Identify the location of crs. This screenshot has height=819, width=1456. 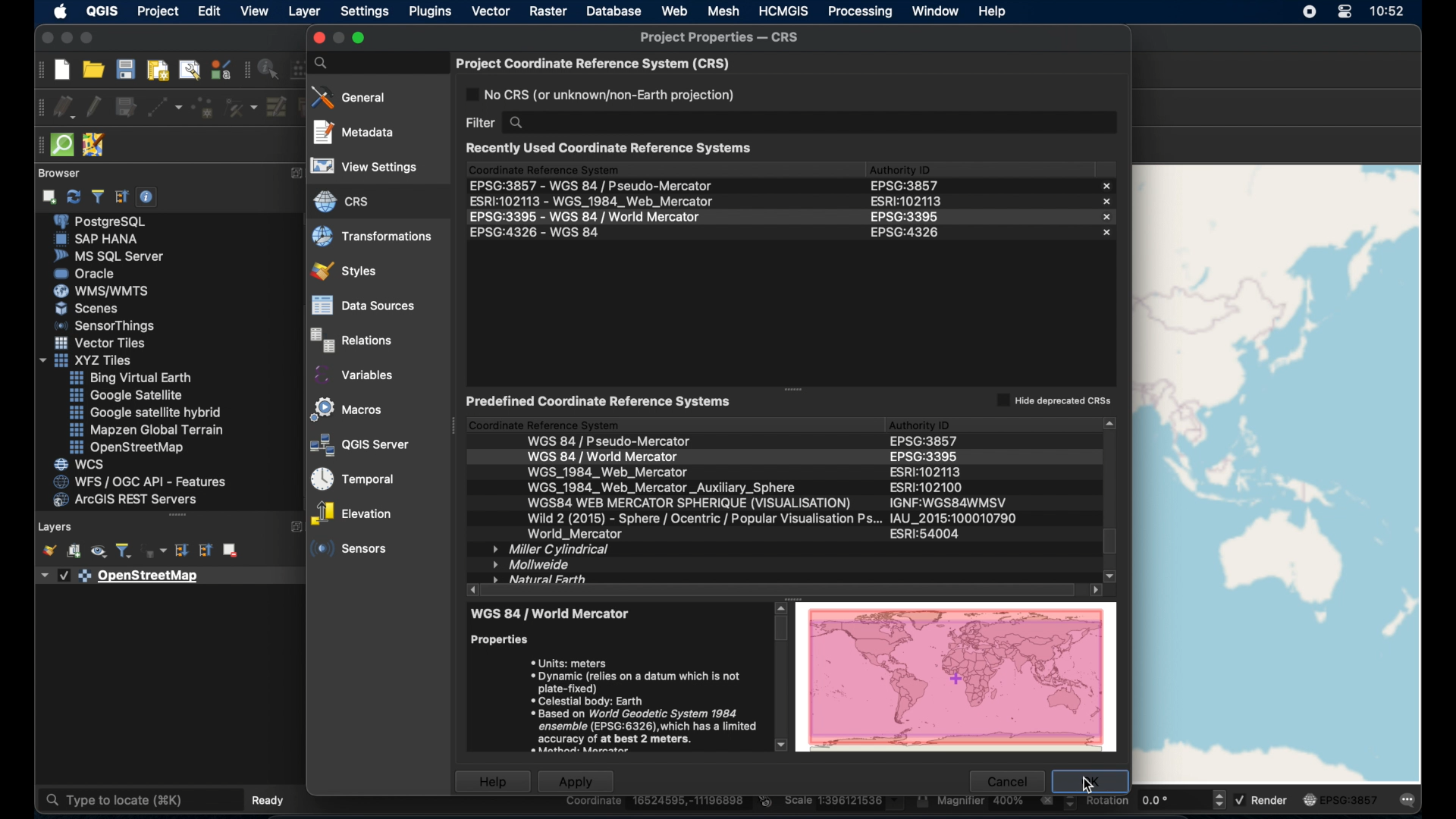
(339, 199).